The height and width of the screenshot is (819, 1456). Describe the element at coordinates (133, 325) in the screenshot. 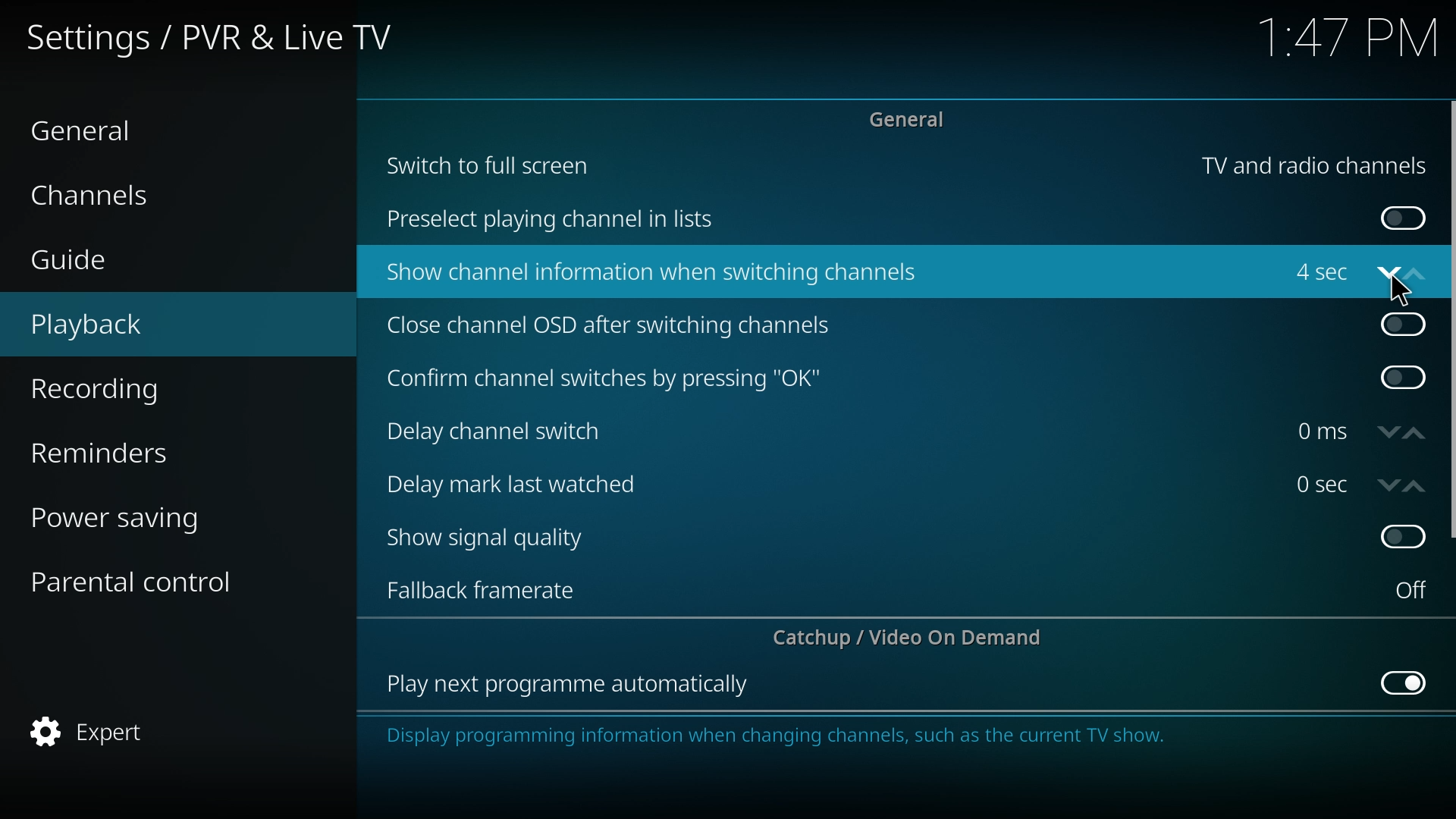

I see `playback` at that location.